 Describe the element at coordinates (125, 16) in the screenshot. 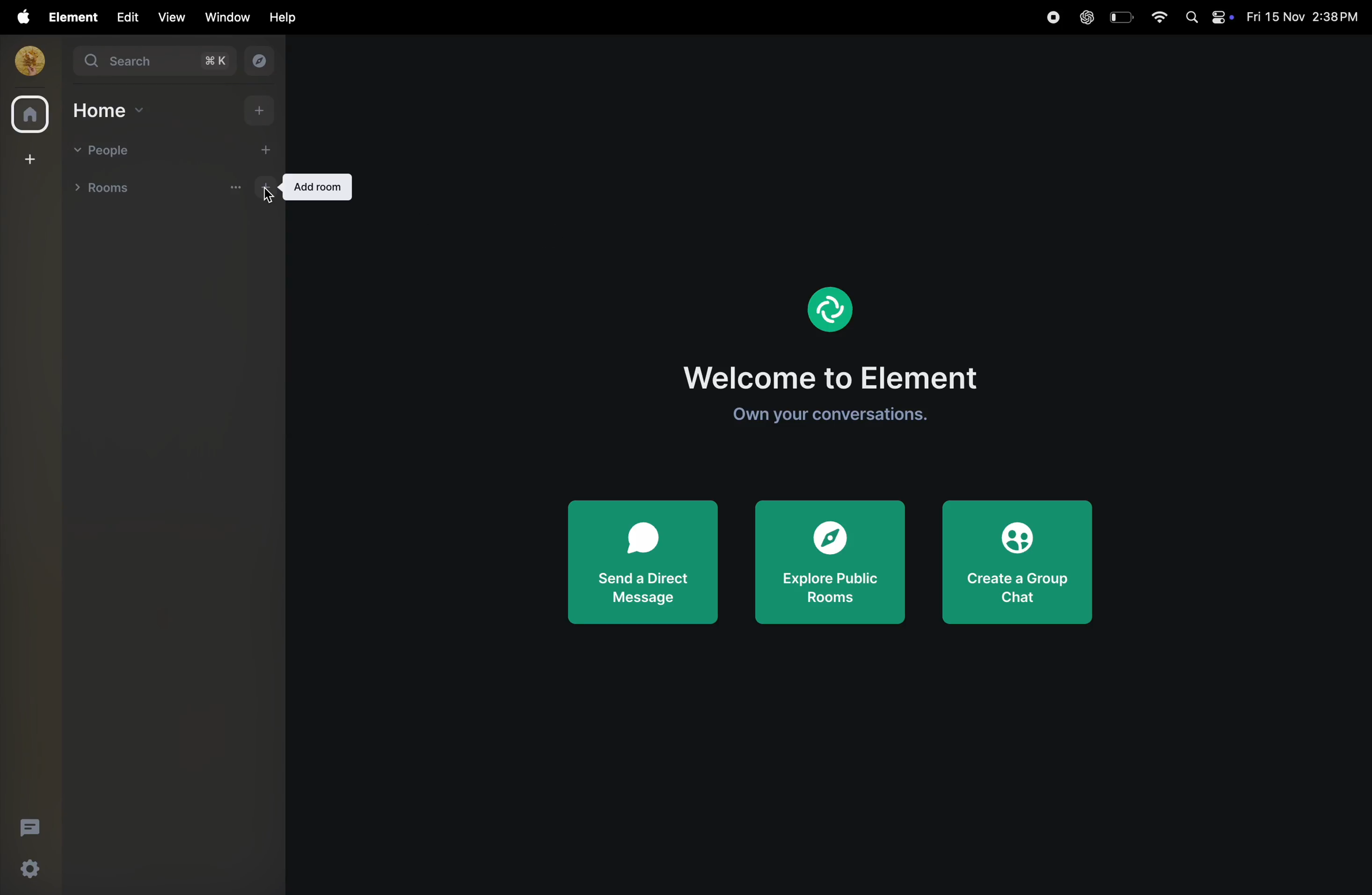

I see `edit` at that location.